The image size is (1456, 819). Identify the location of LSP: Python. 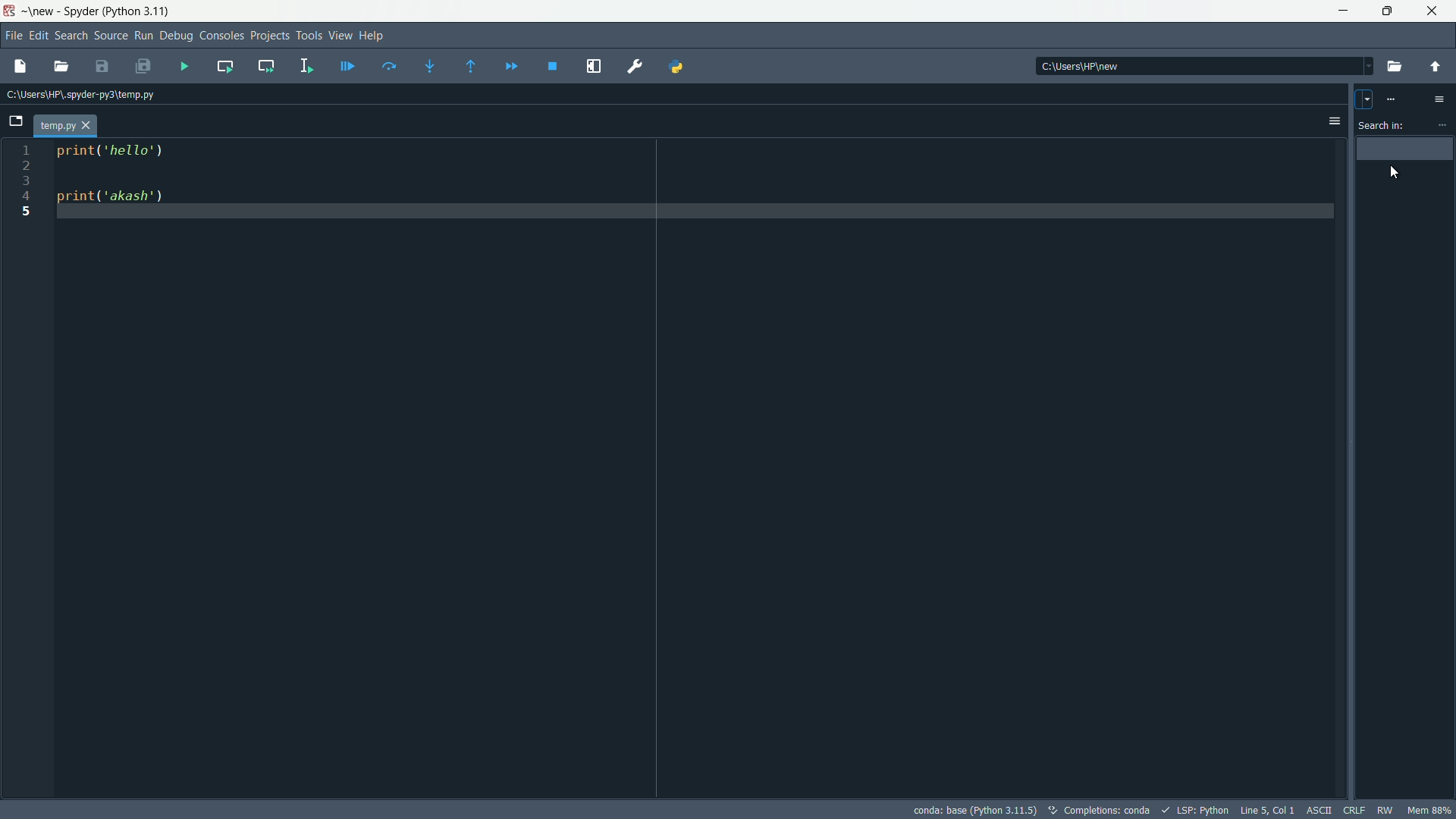
(1198, 808).